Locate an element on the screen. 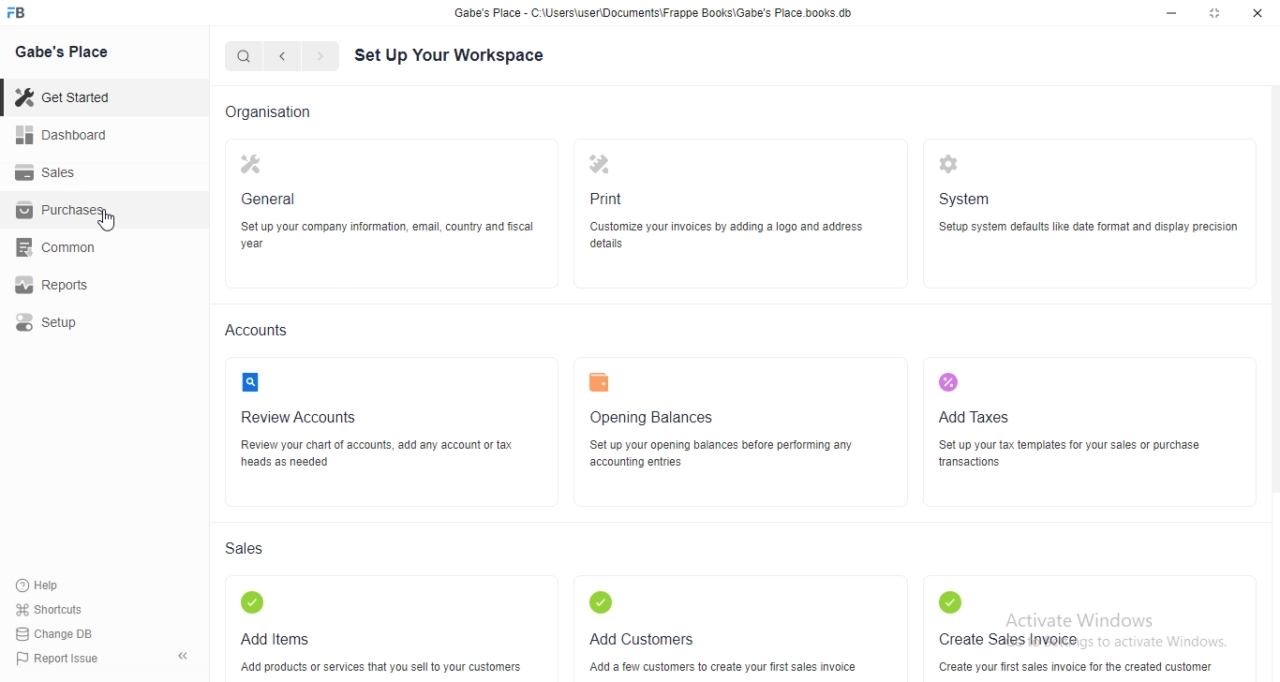 This screenshot has height=682, width=1280. Opening Balances Set up your opening balances before performing any accounting entries is located at coordinates (722, 439).